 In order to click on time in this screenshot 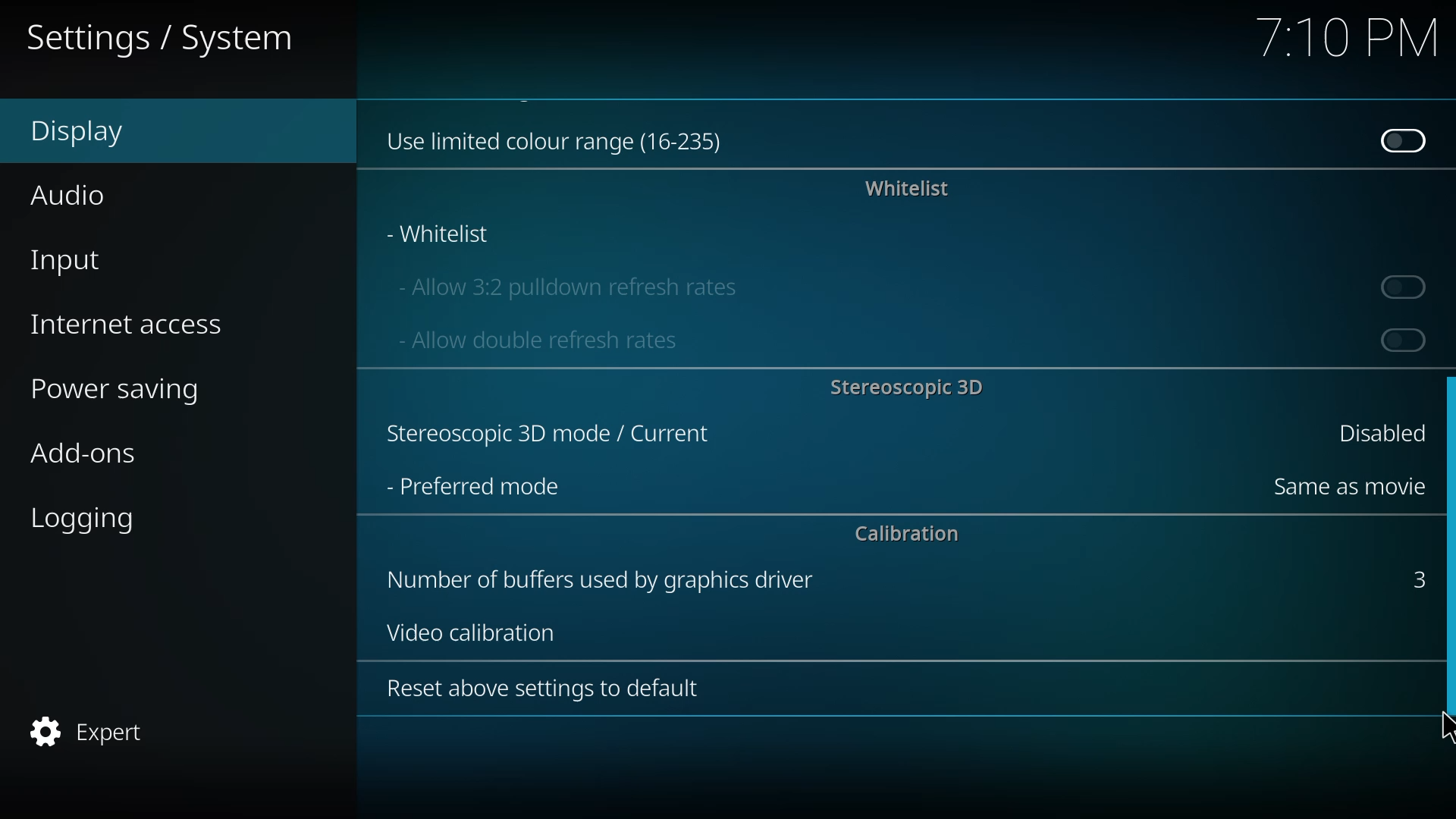, I will do `click(1345, 39)`.